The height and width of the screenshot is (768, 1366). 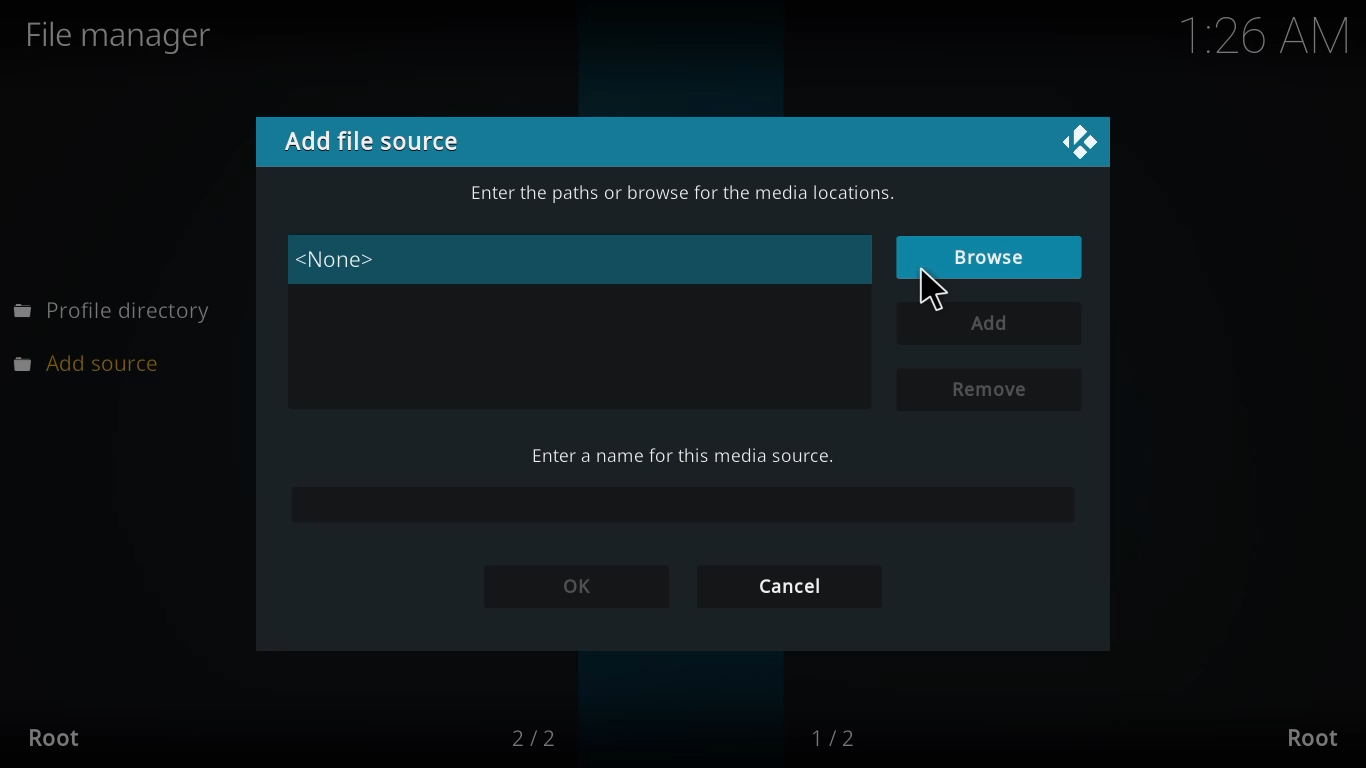 I want to click on info, so click(x=676, y=194).